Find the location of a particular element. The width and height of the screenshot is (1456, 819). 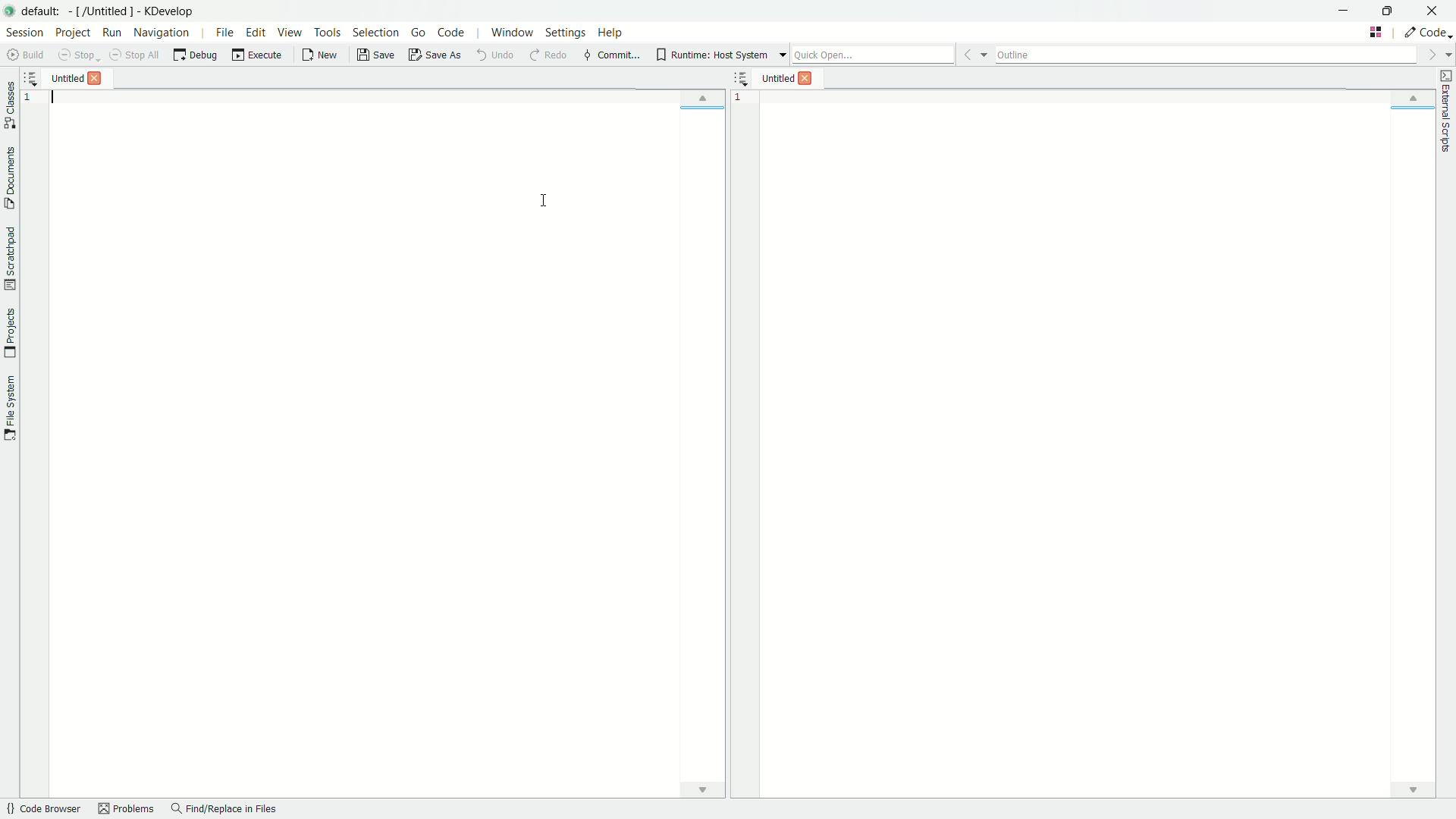

toggle projects is located at coordinates (9, 334).